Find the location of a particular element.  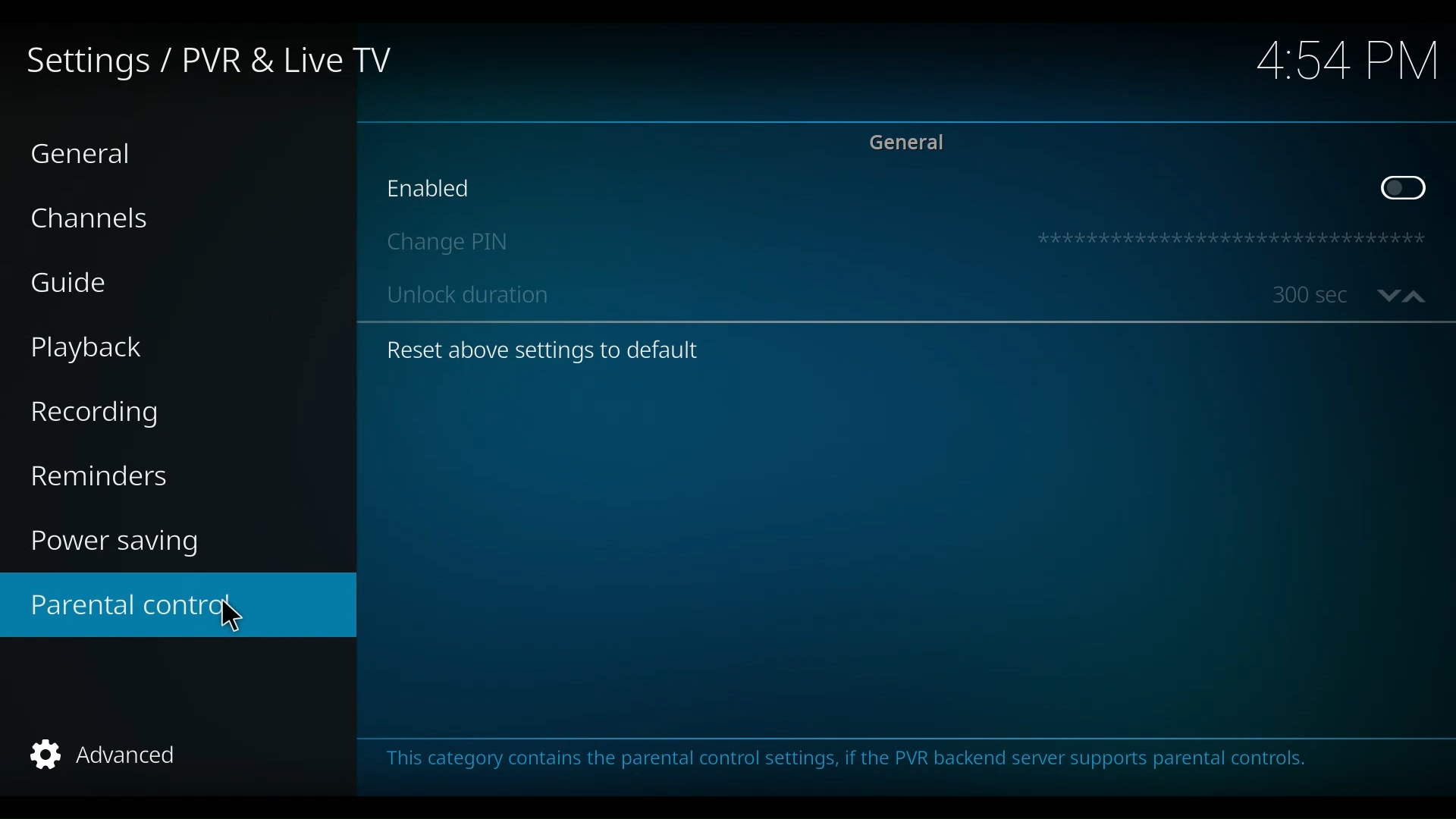

time is located at coordinates (1340, 62).